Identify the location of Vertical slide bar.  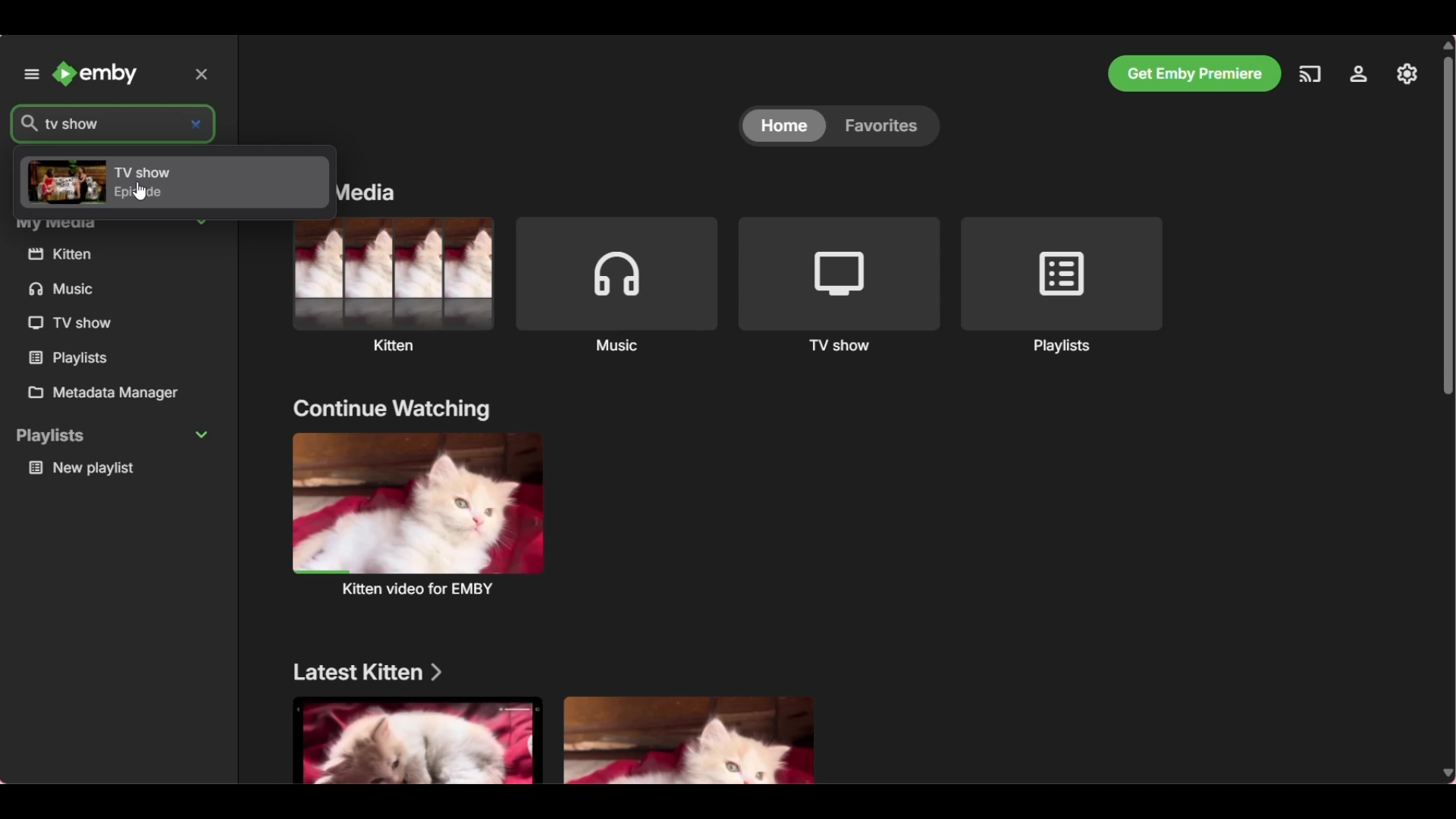
(1449, 410).